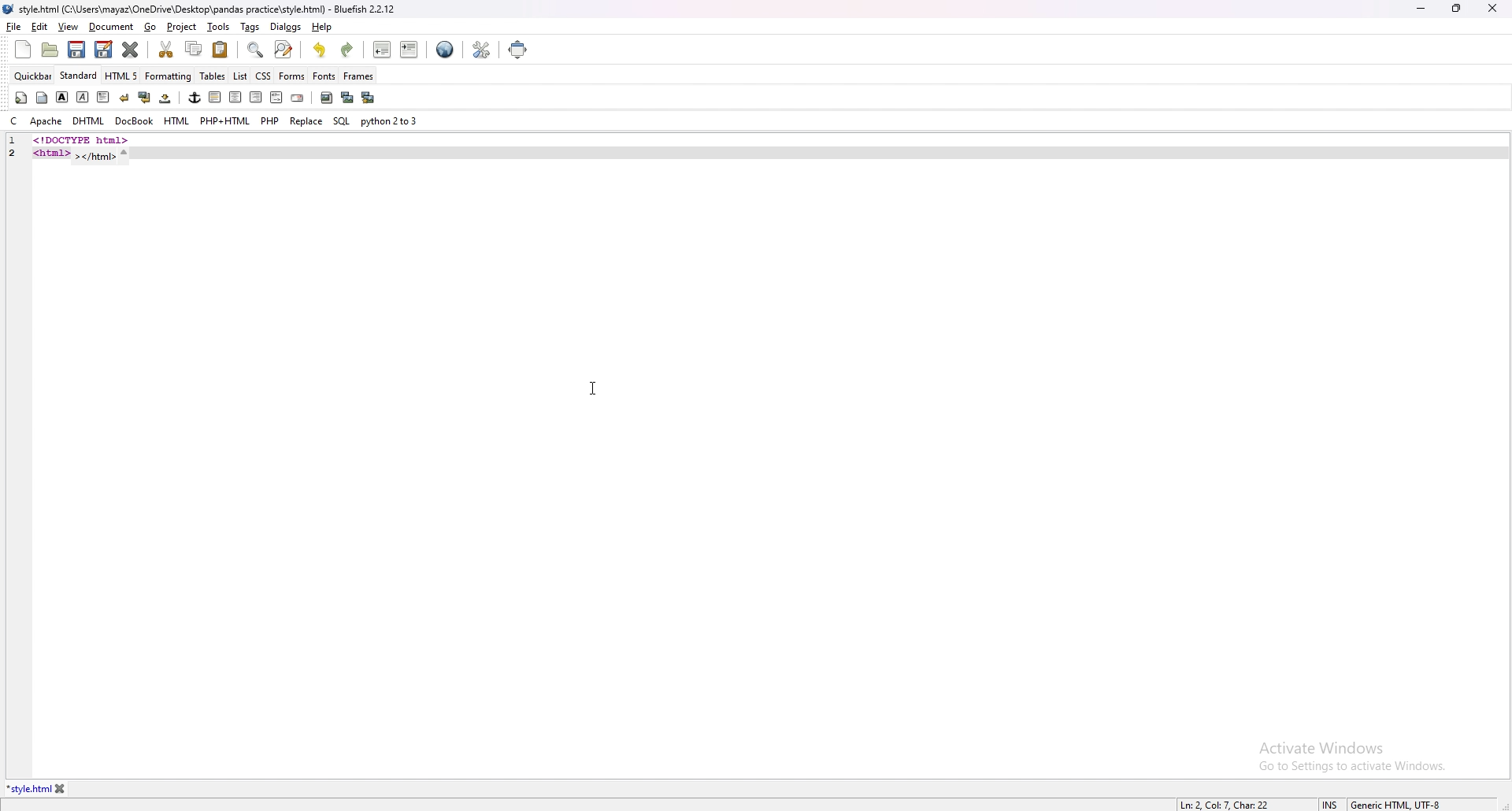 The height and width of the screenshot is (811, 1512). What do you see at coordinates (18, 152) in the screenshot?
I see `line number` at bounding box center [18, 152].